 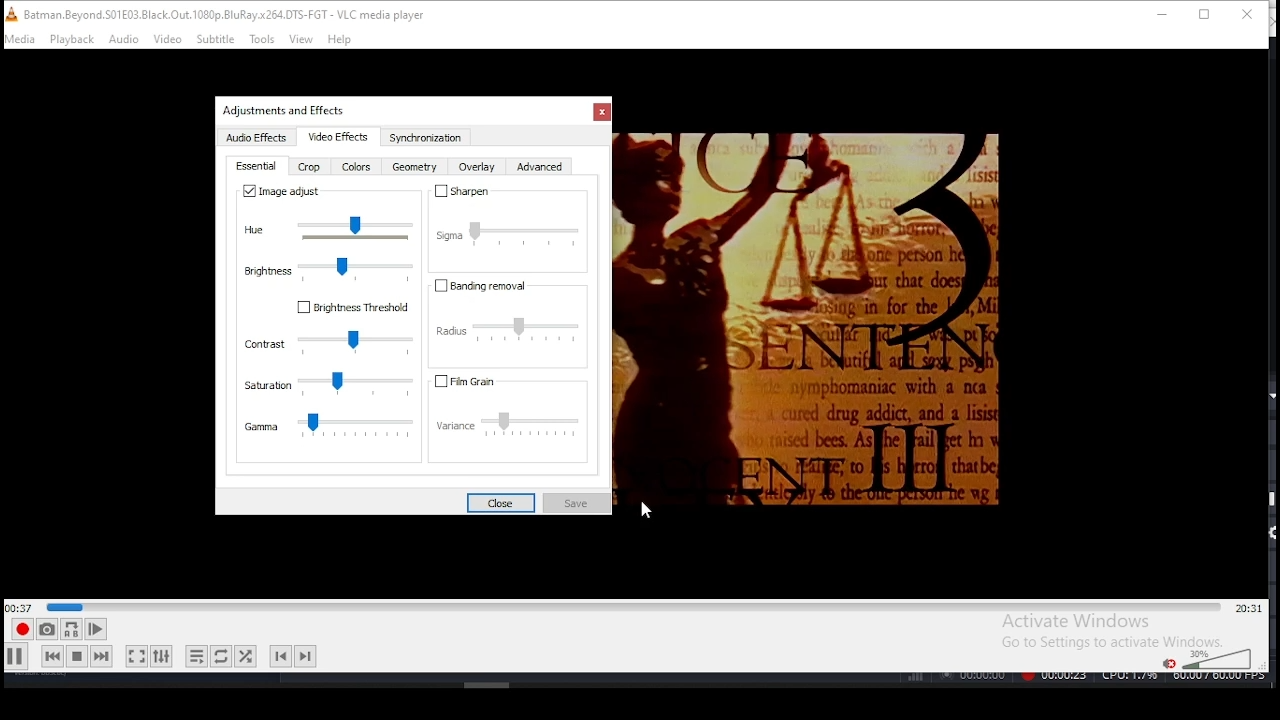 I want to click on Brightness threshold on/off, so click(x=353, y=311).